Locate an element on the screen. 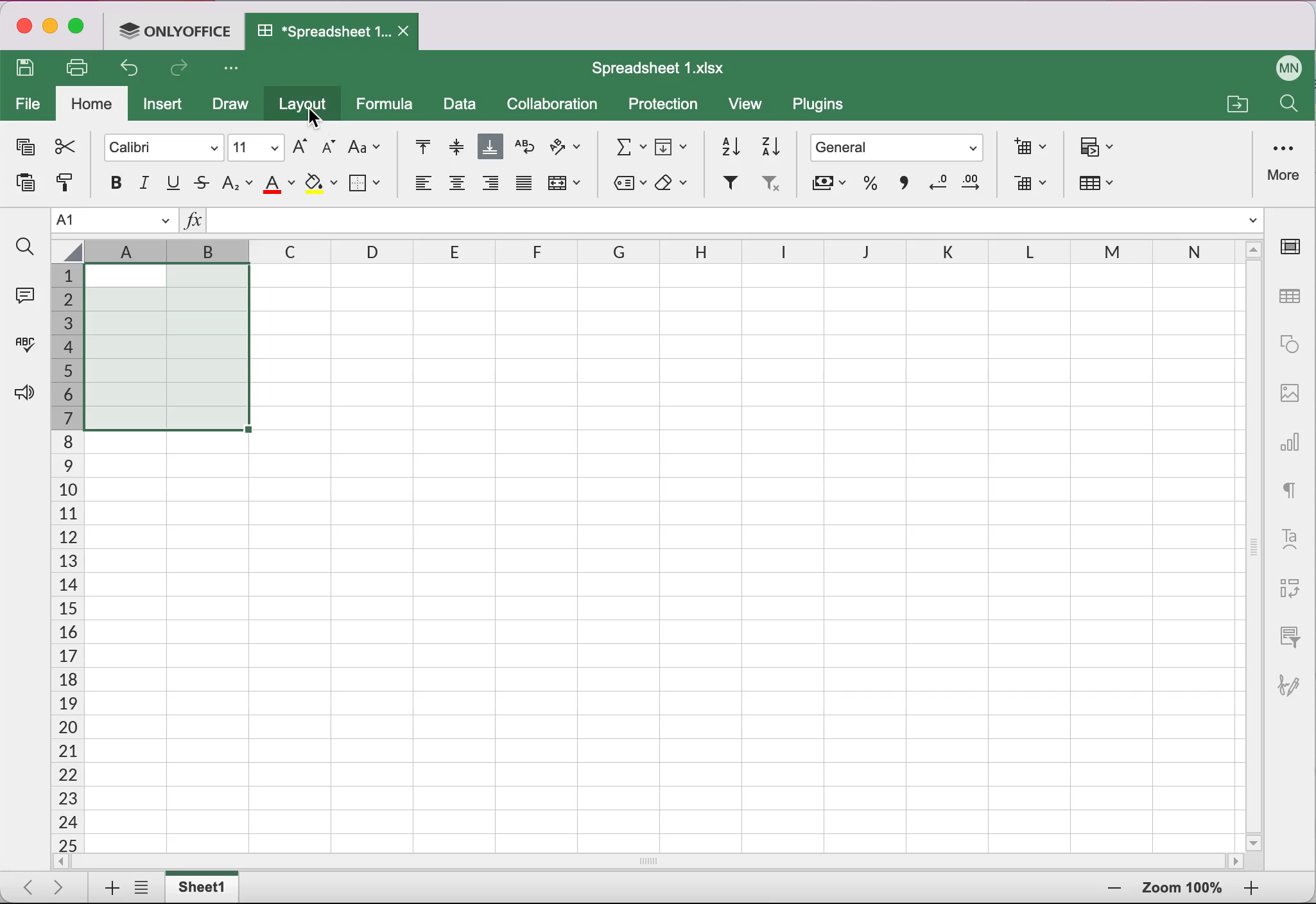  cursor is located at coordinates (322, 114).